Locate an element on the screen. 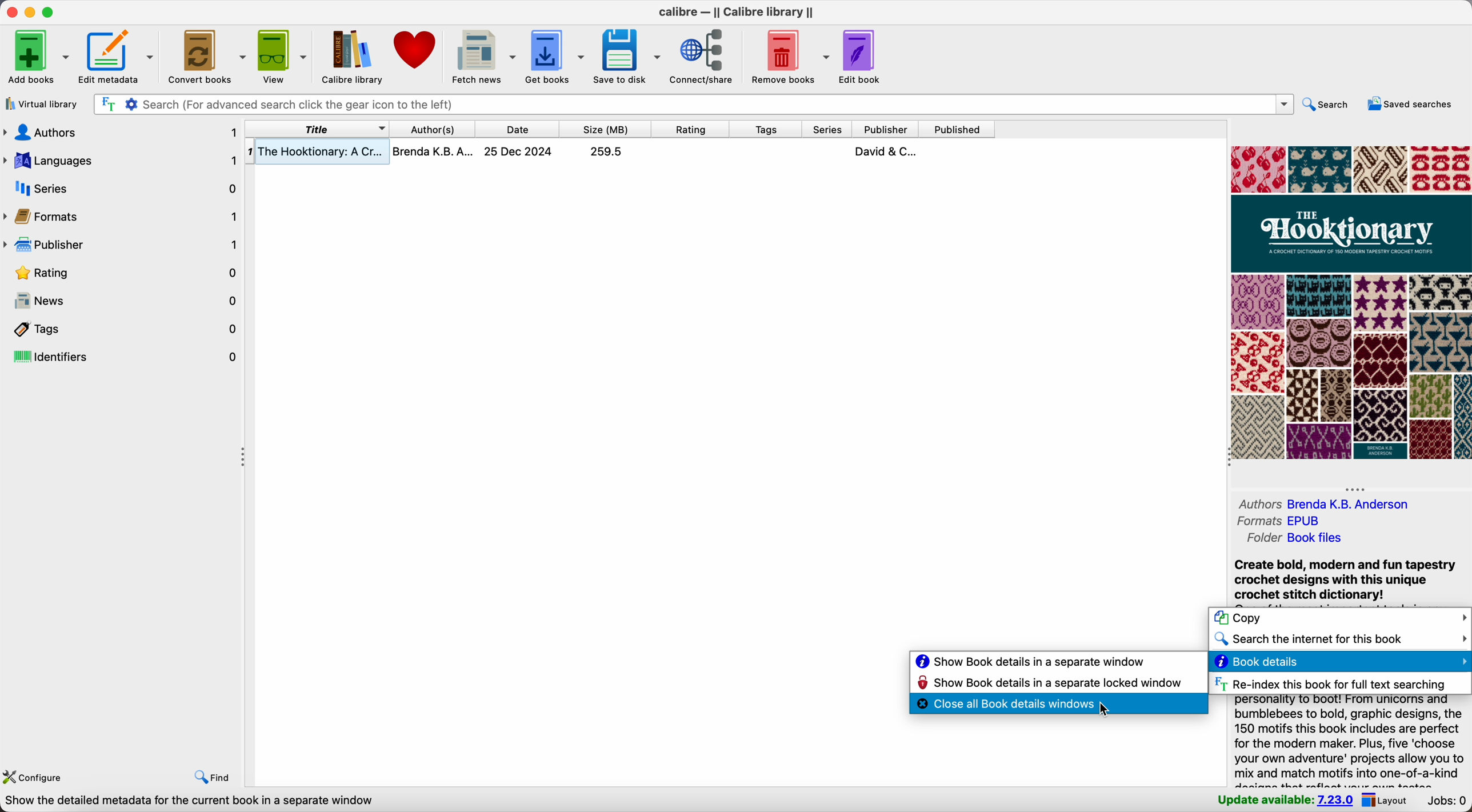 This screenshot has height=812, width=1472. Calibre library is located at coordinates (351, 55).